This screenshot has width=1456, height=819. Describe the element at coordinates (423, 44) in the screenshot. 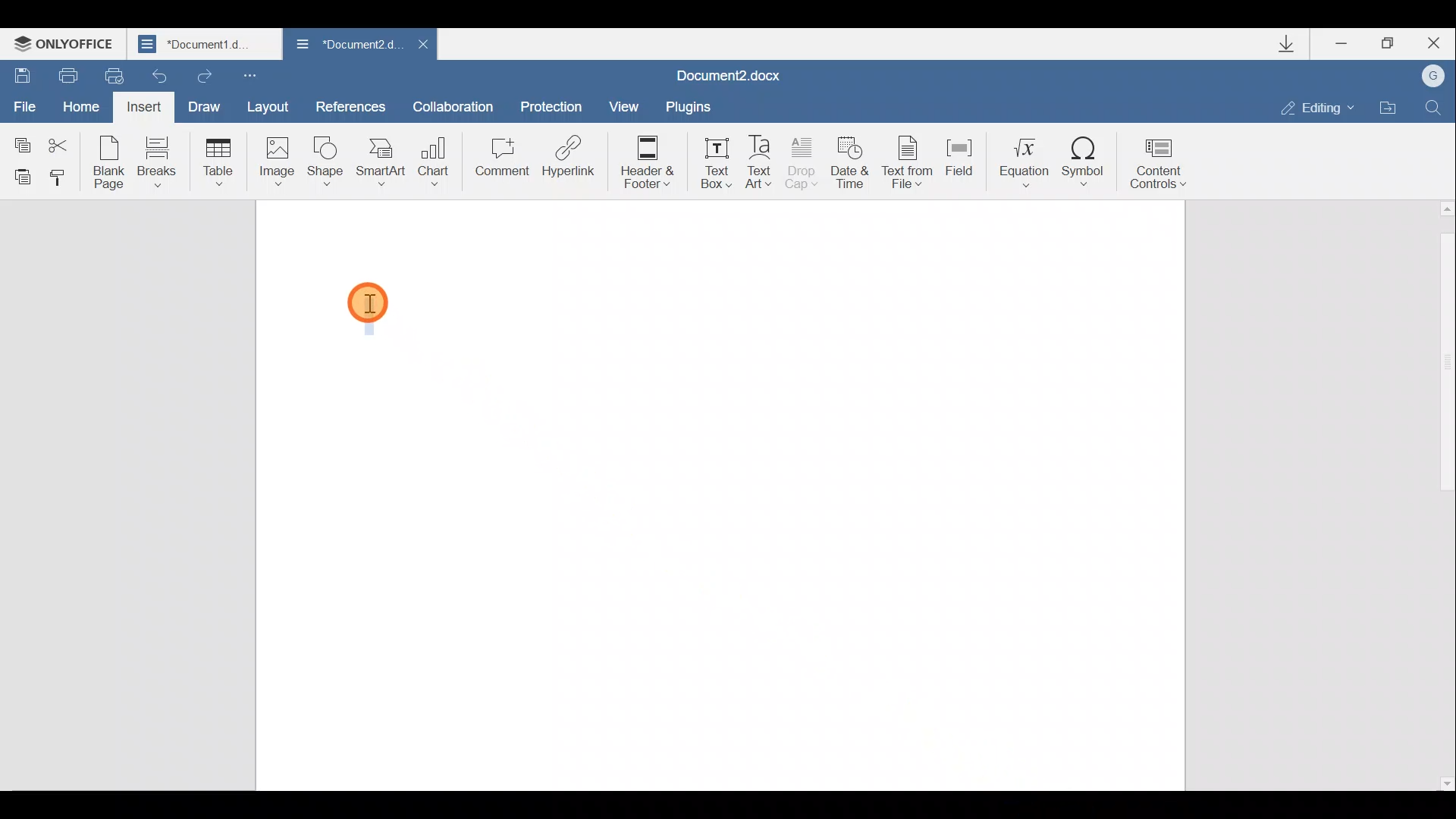

I see `Close` at that location.